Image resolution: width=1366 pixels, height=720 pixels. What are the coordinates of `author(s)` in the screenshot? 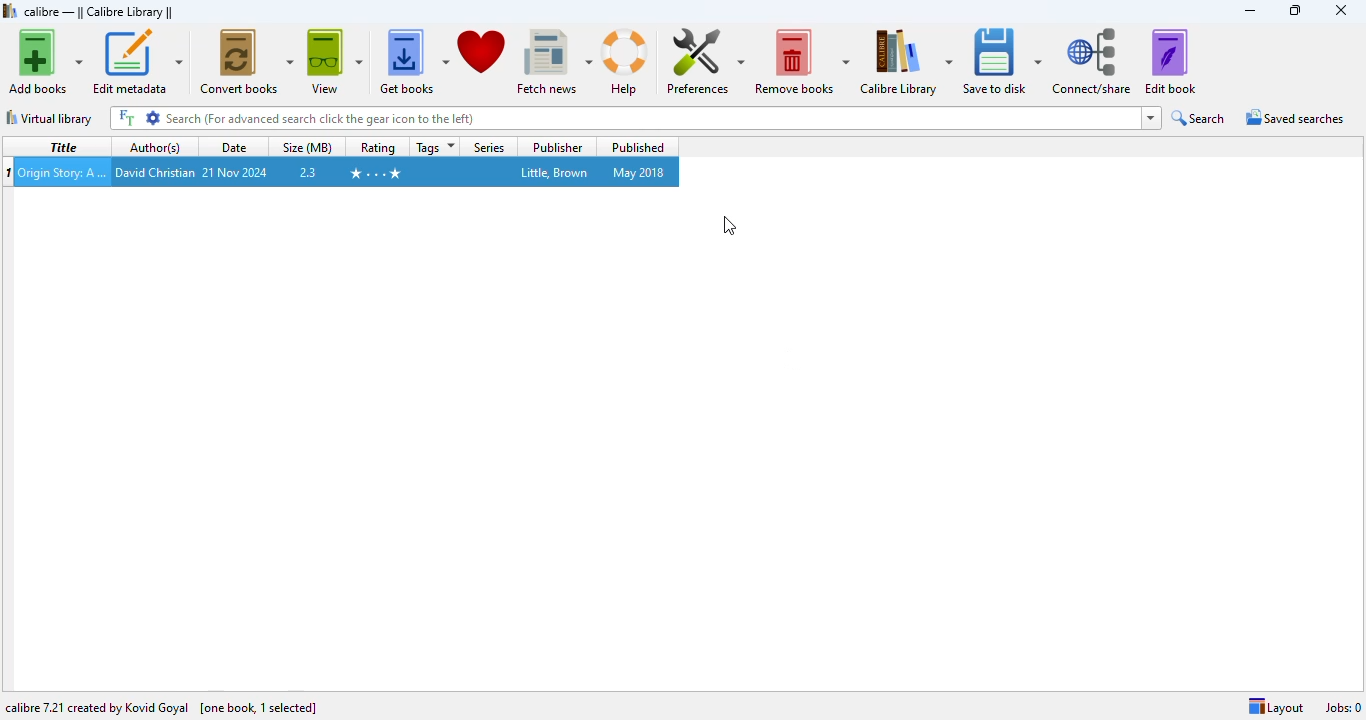 It's located at (155, 146).